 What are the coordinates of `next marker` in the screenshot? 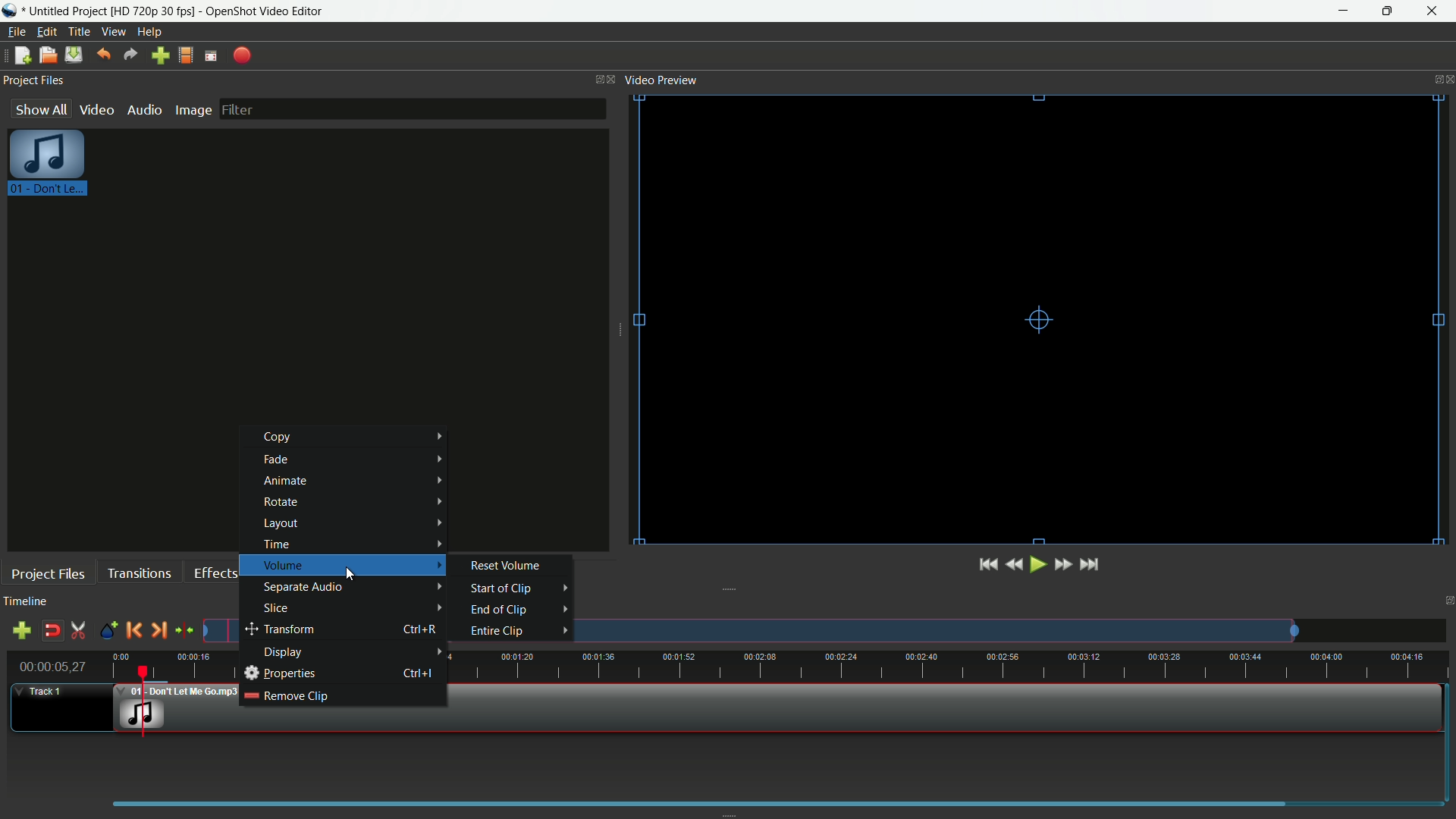 It's located at (158, 630).